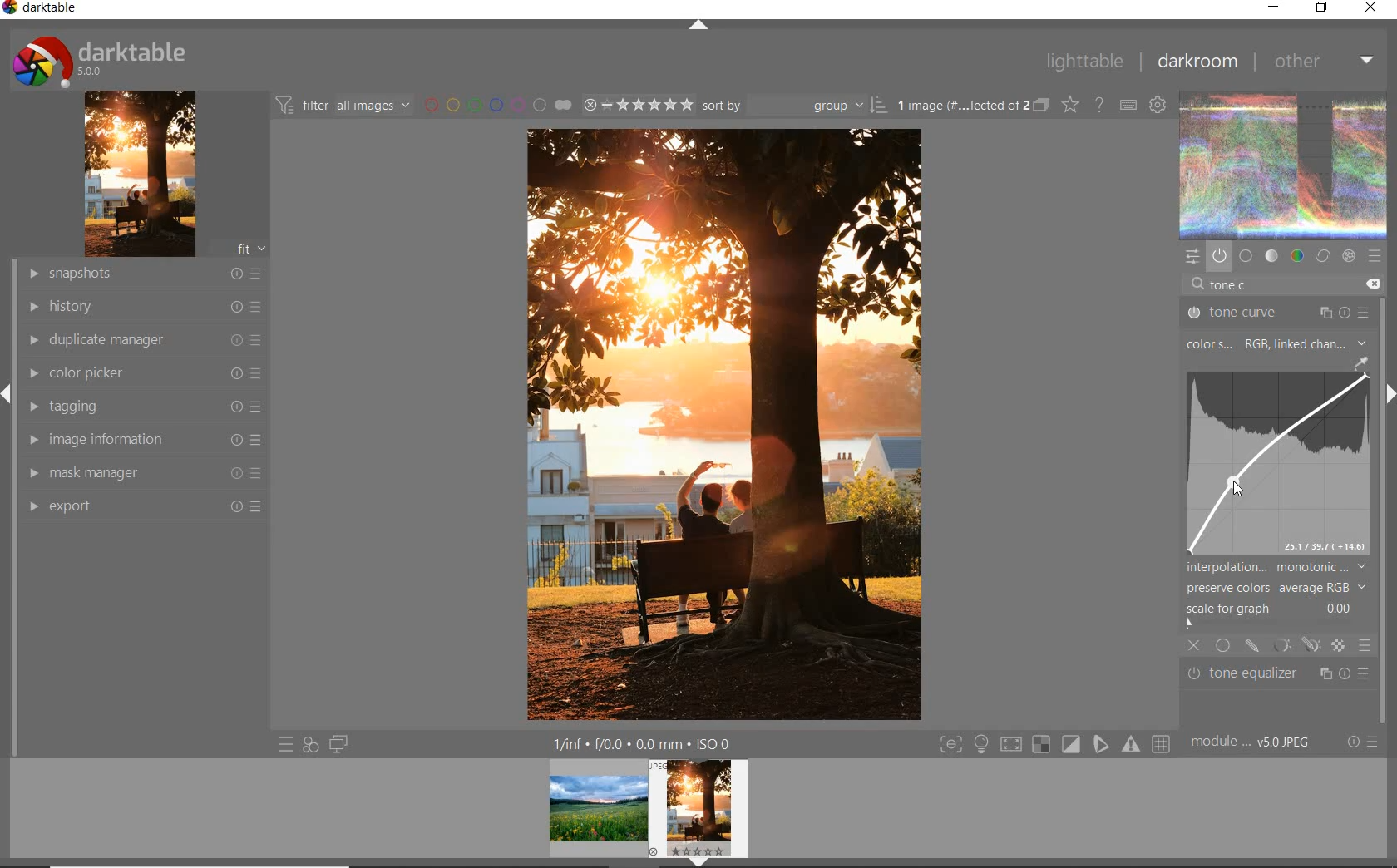 Image resolution: width=1397 pixels, height=868 pixels. Describe the element at coordinates (1275, 468) in the screenshot. I see `image` at that location.